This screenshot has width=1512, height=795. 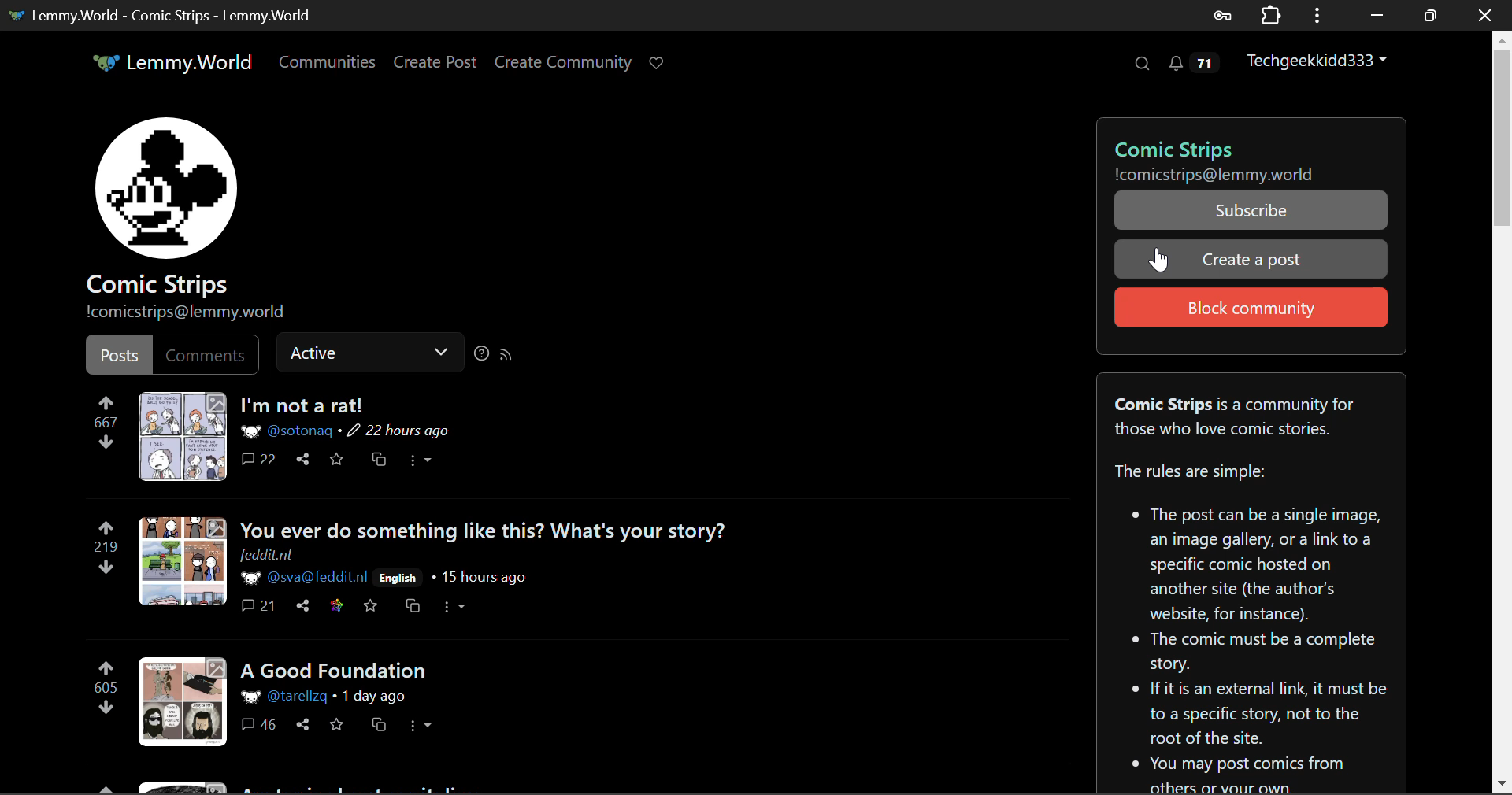 What do you see at coordinates (303, 604) in the screenshot?
I see `Share` at bounding box center [303, 604].